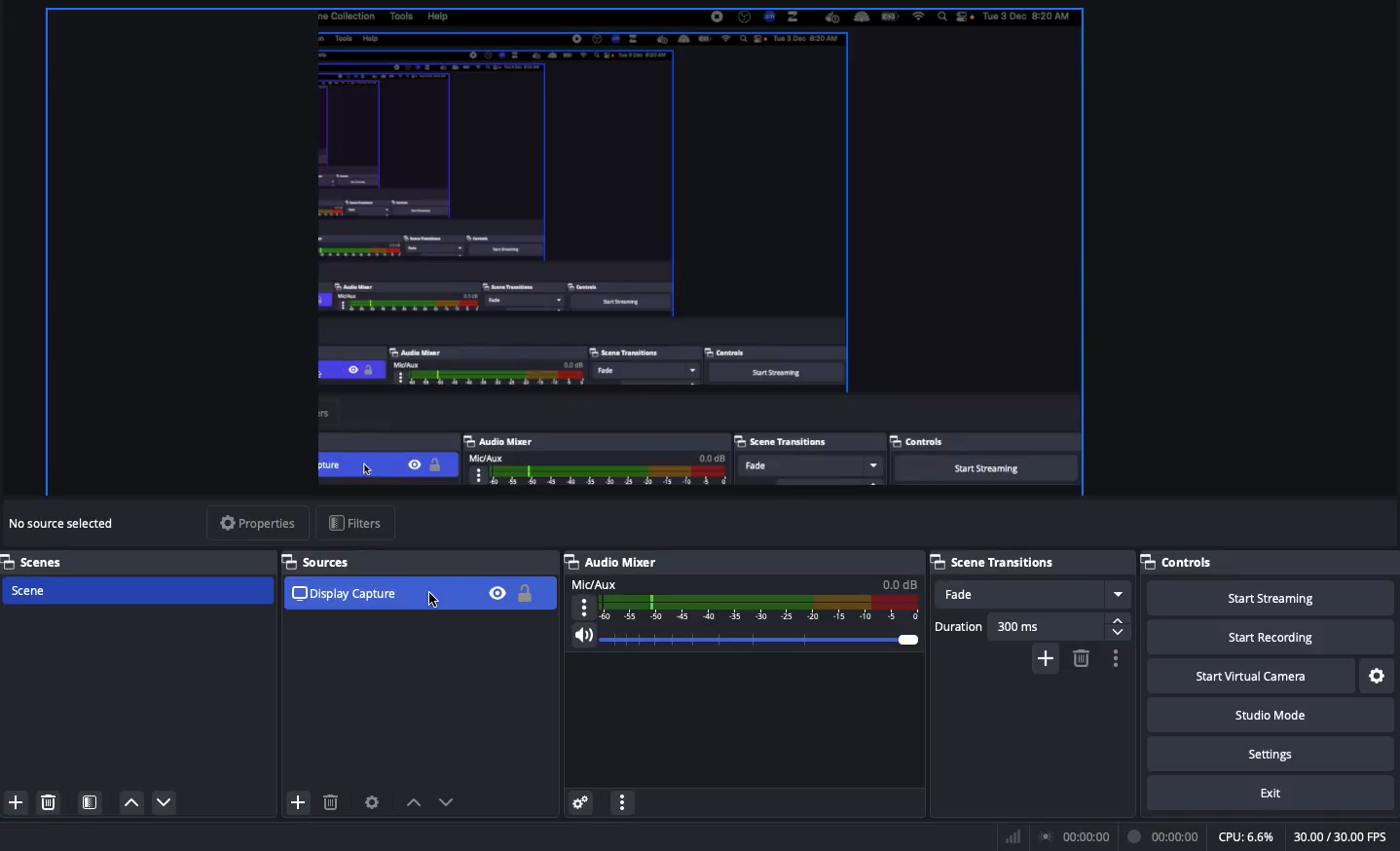  What do you see at coordinates (331, 800) in the screenshot?
I see `delete` at bounding box center [331, 800].